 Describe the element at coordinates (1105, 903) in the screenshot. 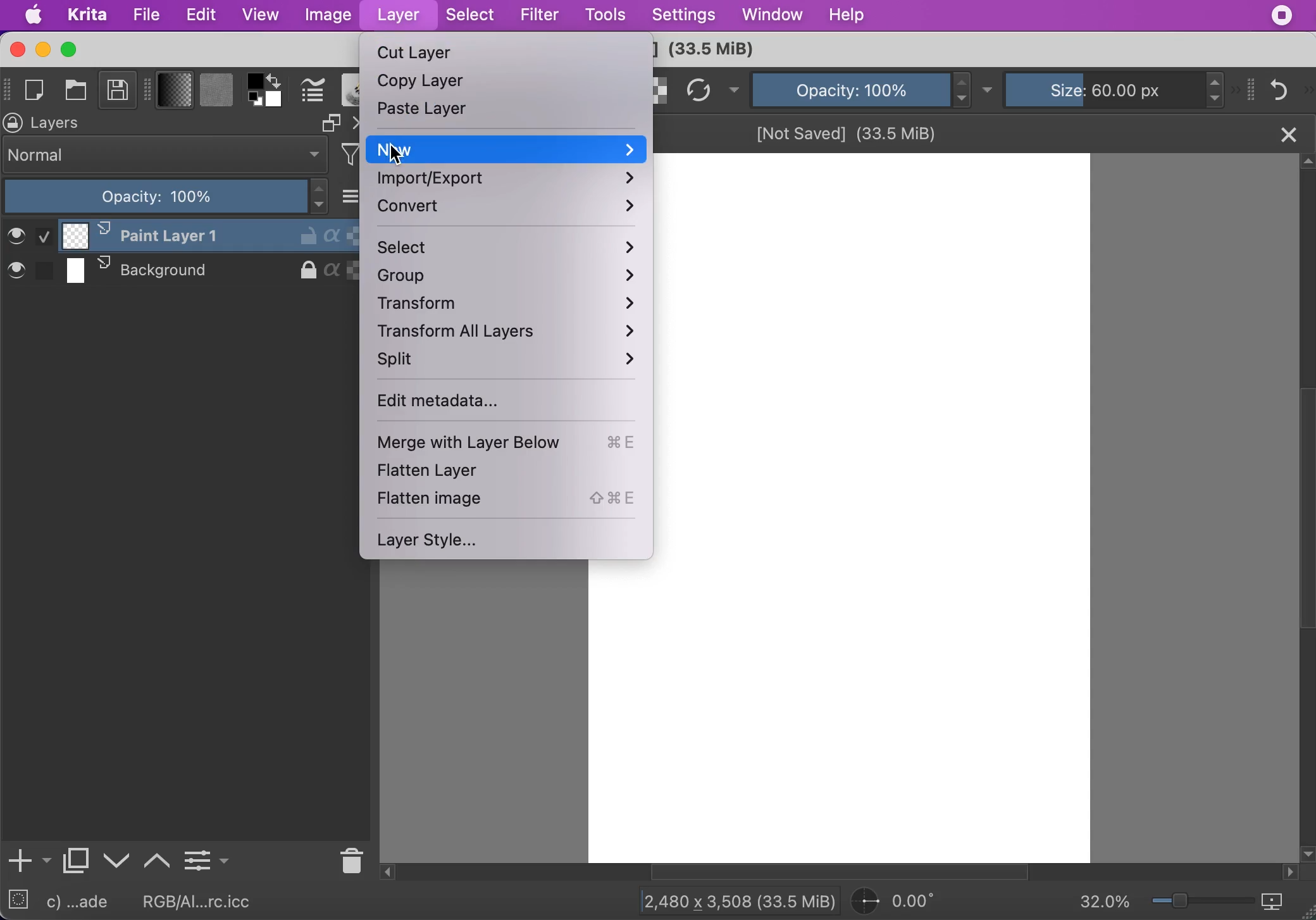

I see `zoom percentage` at that location.